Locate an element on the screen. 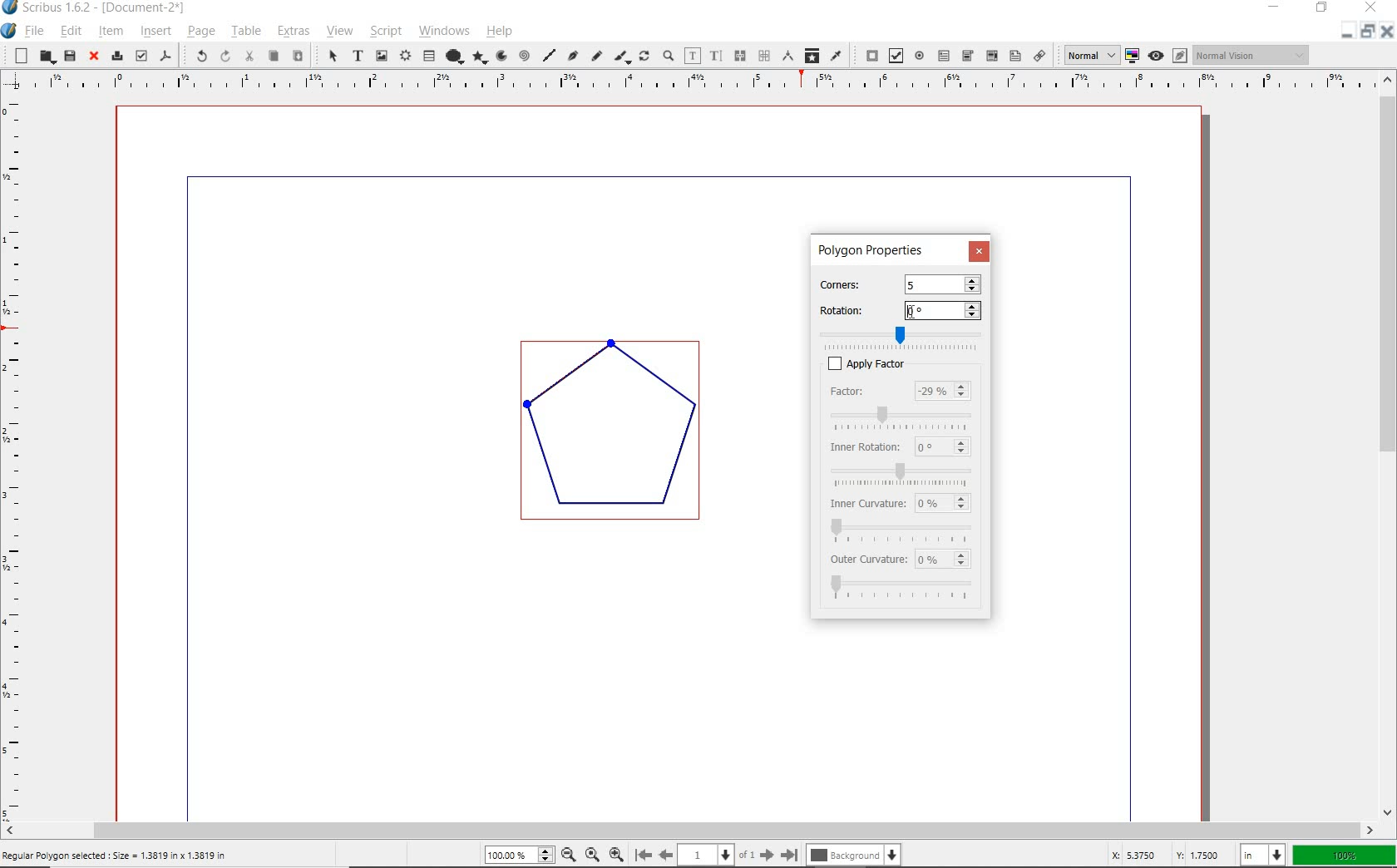 The height and width of the screenshot is (868, 1397). toggle color is located at coordinates (1133, 55).